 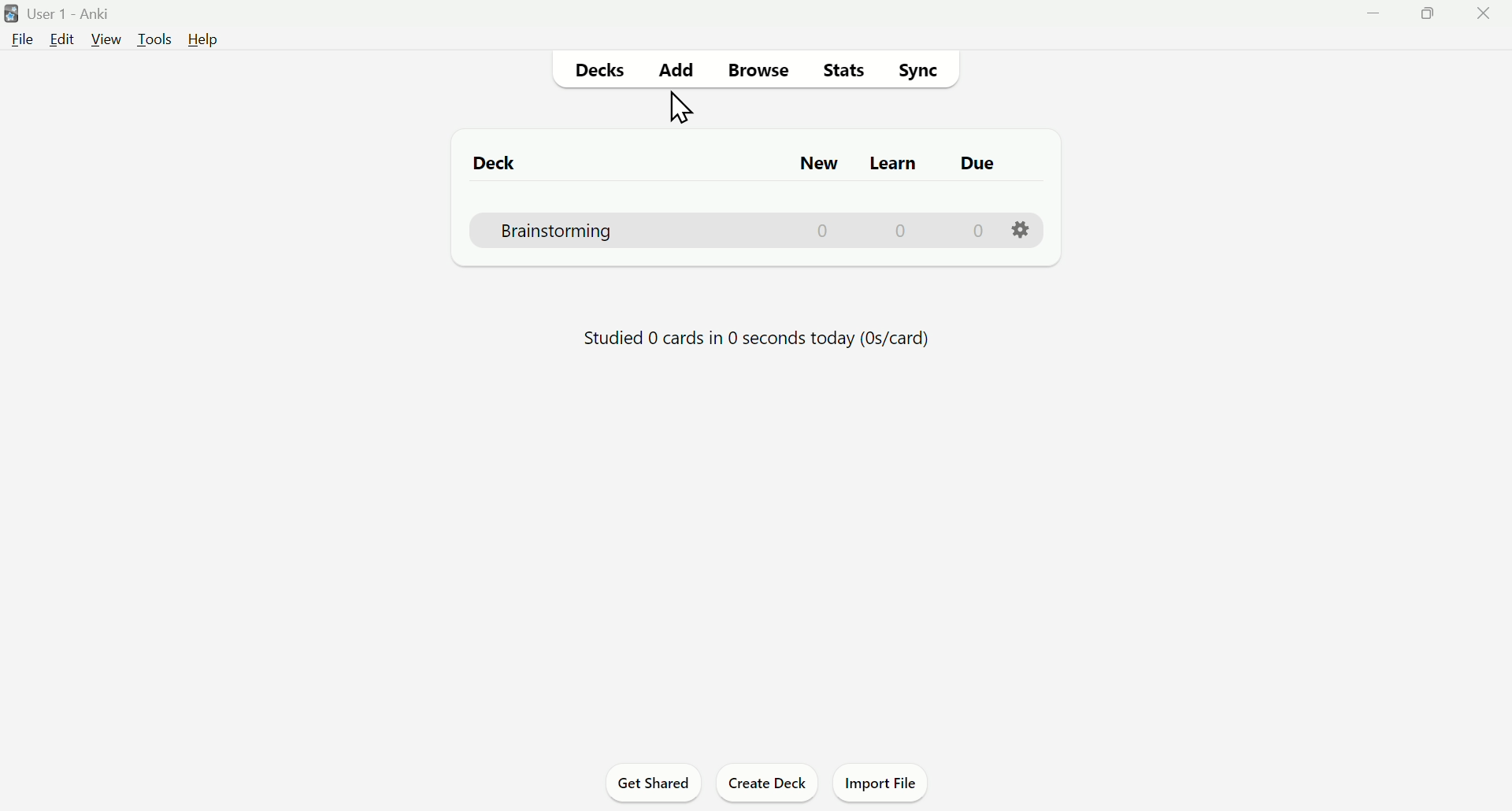 I want to click on , so click(x=151, y=36).